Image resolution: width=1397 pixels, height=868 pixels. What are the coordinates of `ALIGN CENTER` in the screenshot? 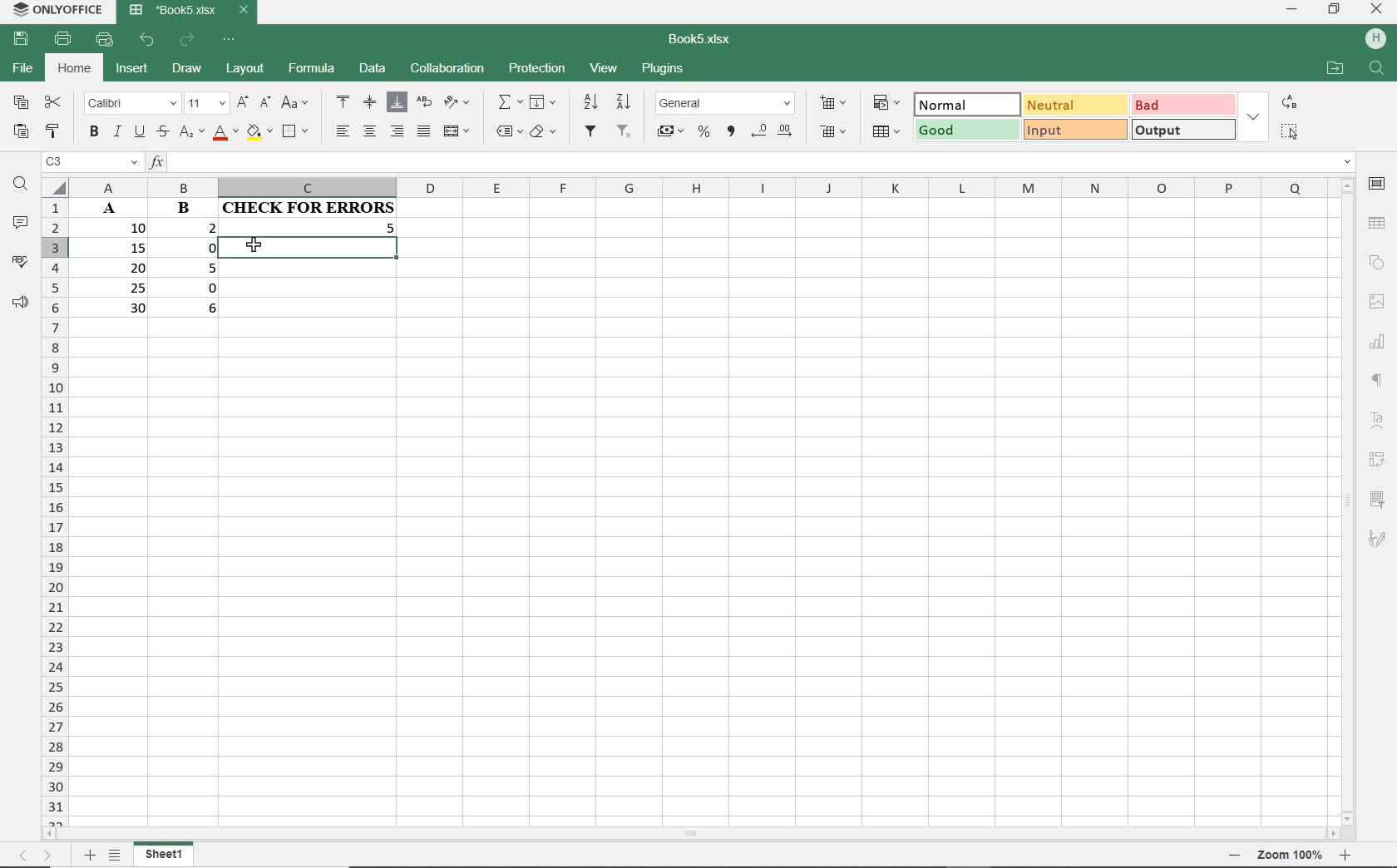 It's located at (370, 131).